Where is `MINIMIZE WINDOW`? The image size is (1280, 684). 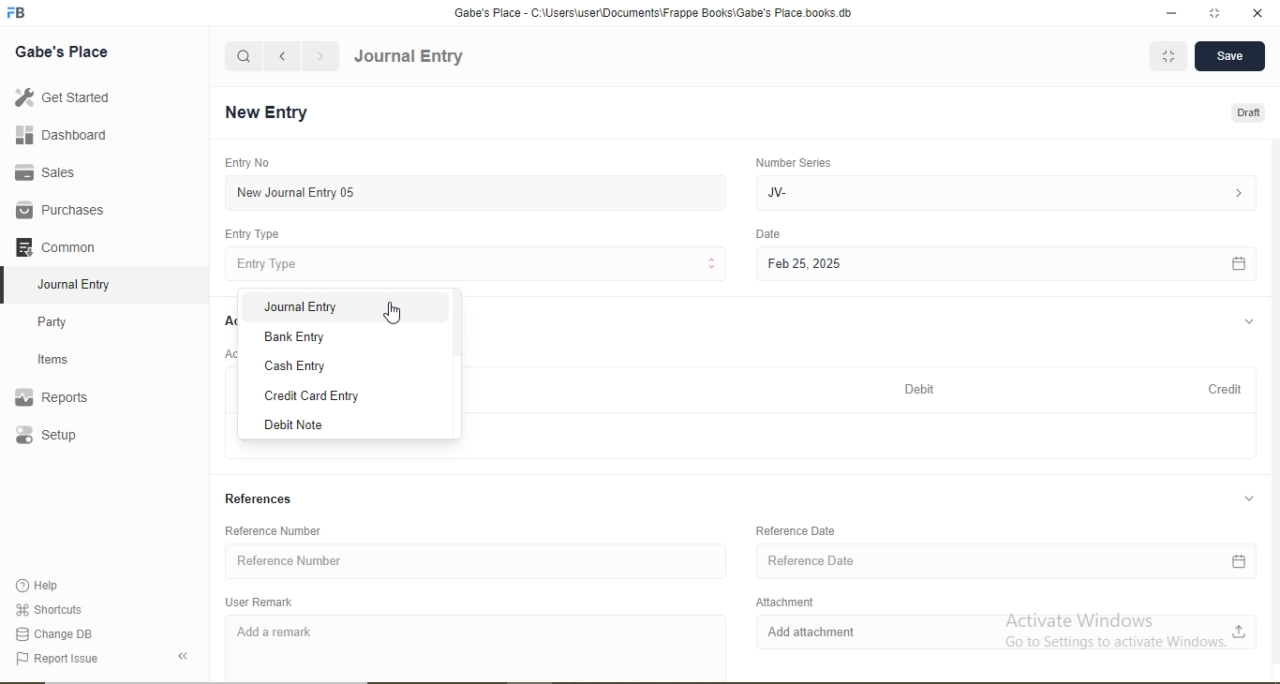
MINIMIZE WINDOW is located at coordinates (1166, 56).